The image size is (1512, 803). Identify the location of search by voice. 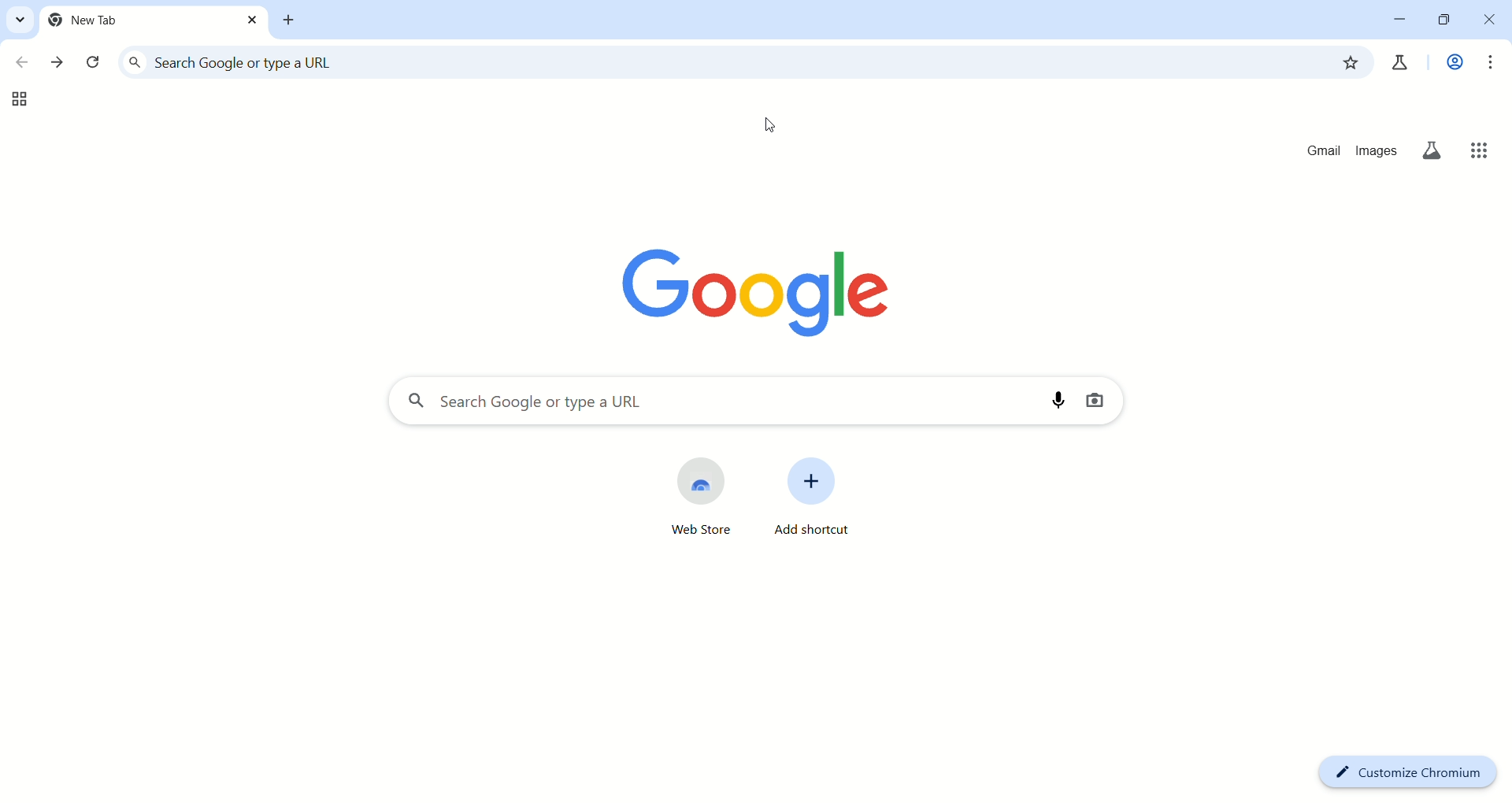
(1059, 398).